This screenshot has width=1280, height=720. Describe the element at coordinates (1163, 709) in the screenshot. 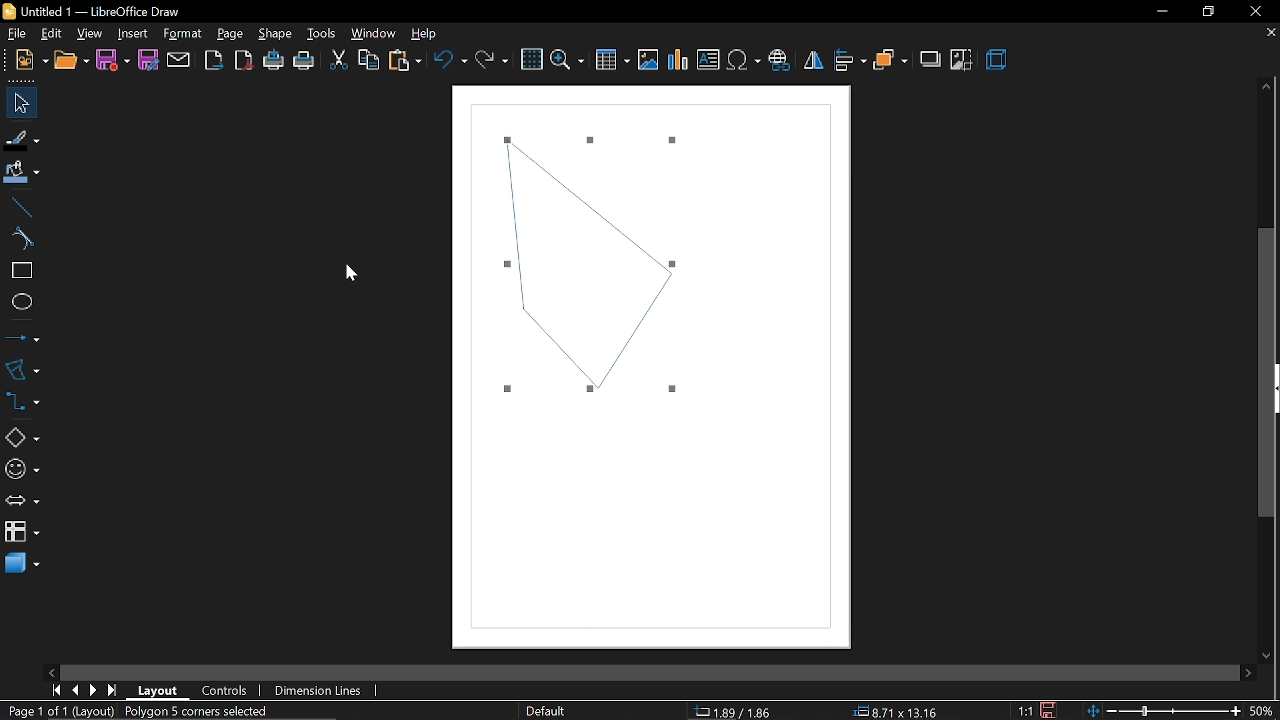

I see `change zoom` at that location.